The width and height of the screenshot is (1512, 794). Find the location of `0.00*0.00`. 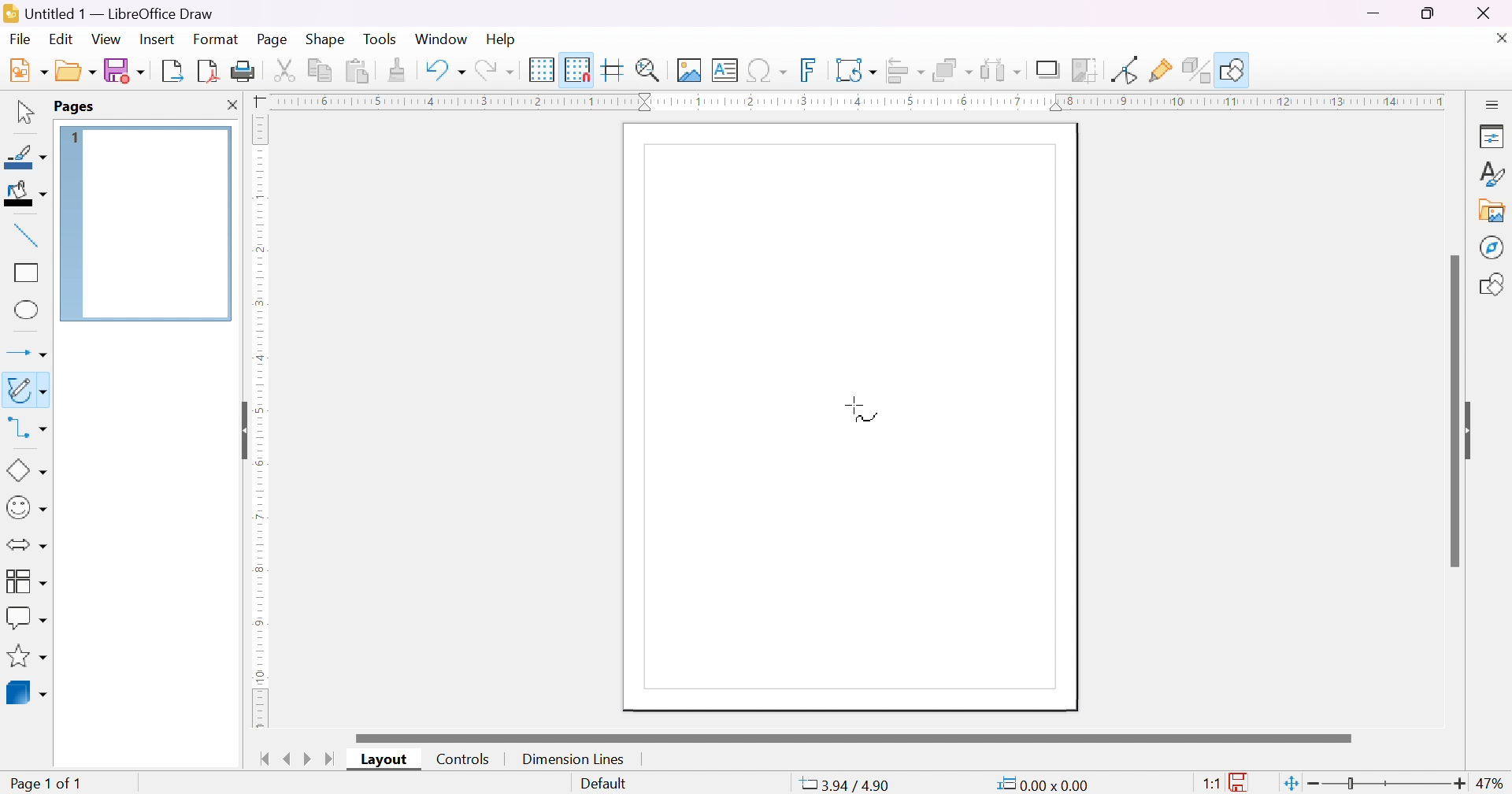

0.00*0.00 is located at coordinates (1044, 783).